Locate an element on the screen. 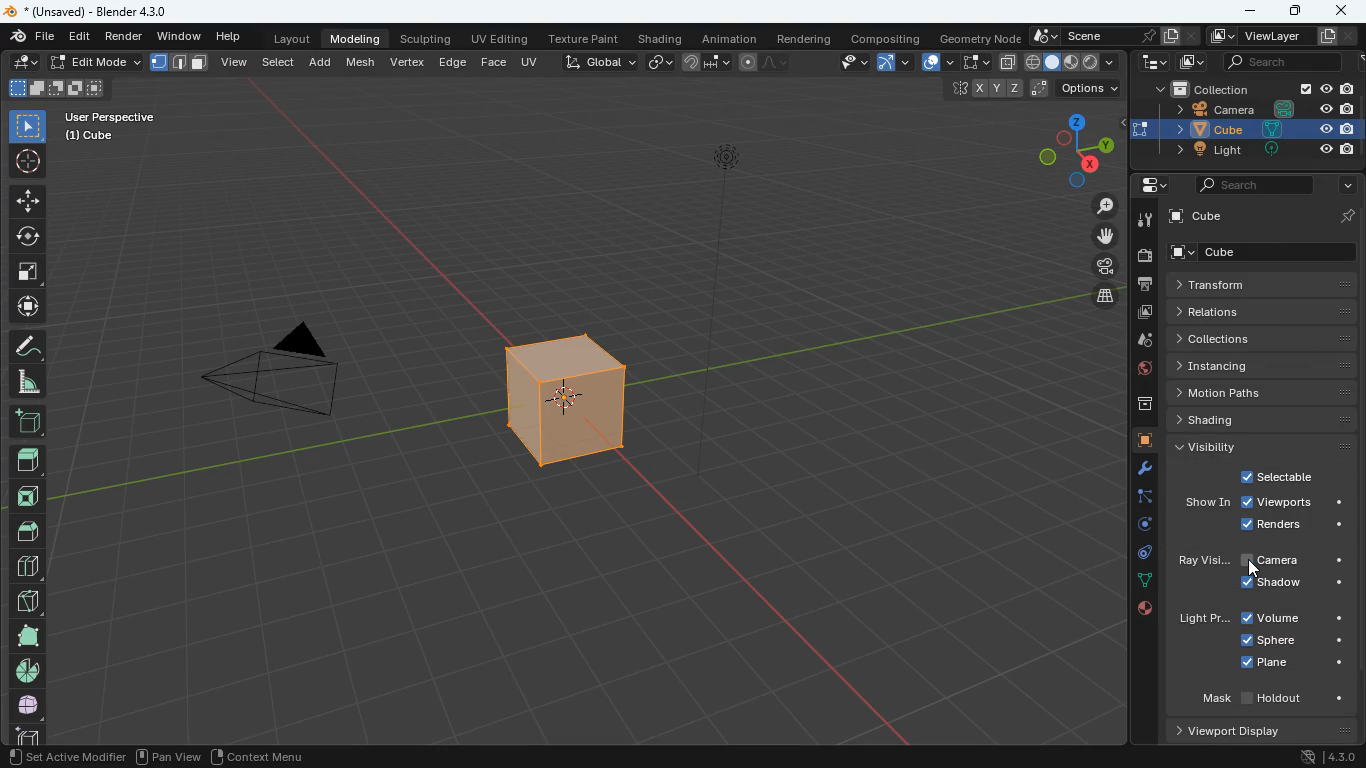 This screenshot has width=1366, height=768. image is located at coordinates (1195, 62).